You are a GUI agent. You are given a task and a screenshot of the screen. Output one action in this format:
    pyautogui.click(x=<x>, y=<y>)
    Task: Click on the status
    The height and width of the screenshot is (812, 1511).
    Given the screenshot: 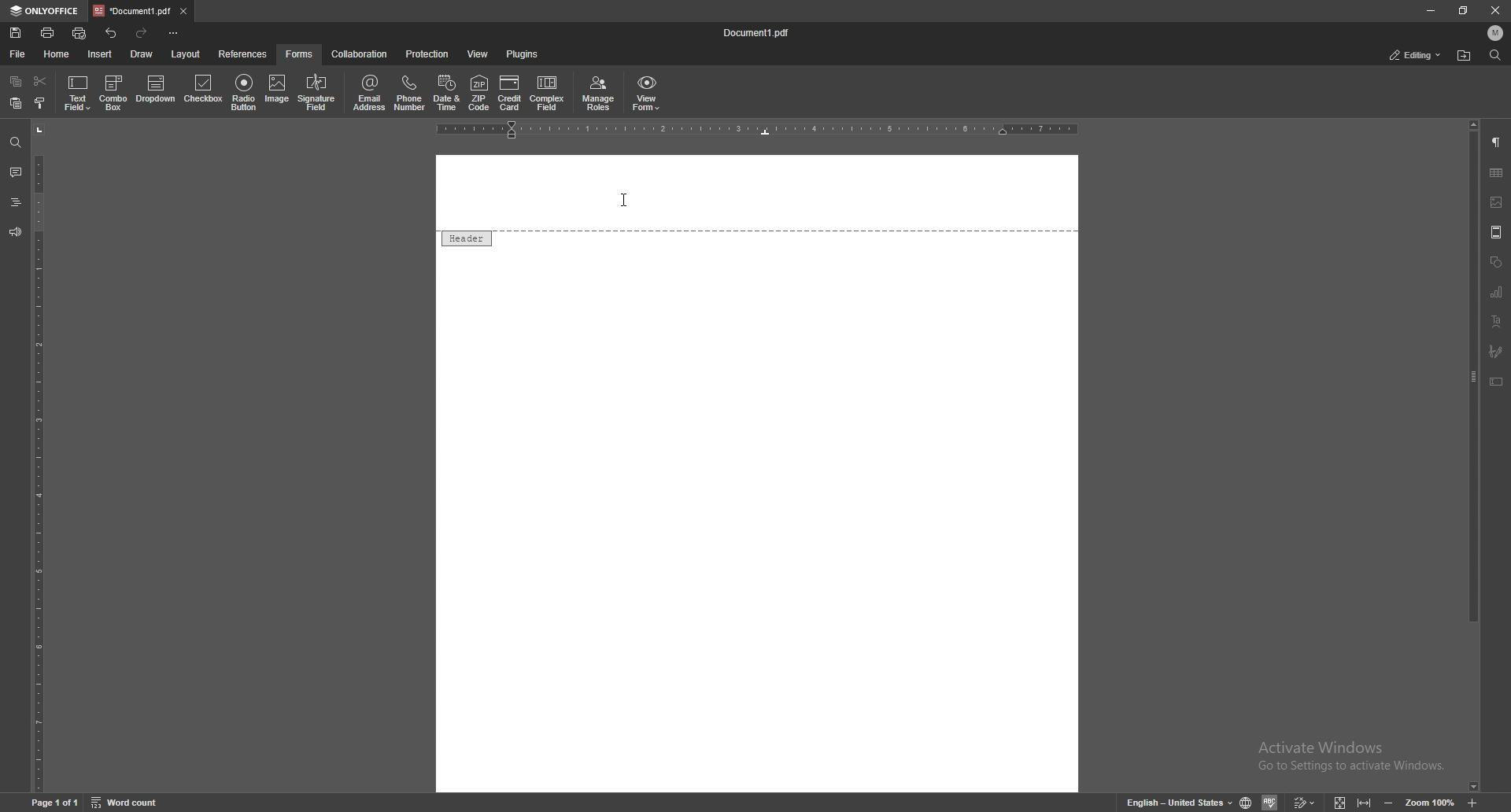 What is the action you would take?
    pyautogui.click(x=1417, y=56)
    